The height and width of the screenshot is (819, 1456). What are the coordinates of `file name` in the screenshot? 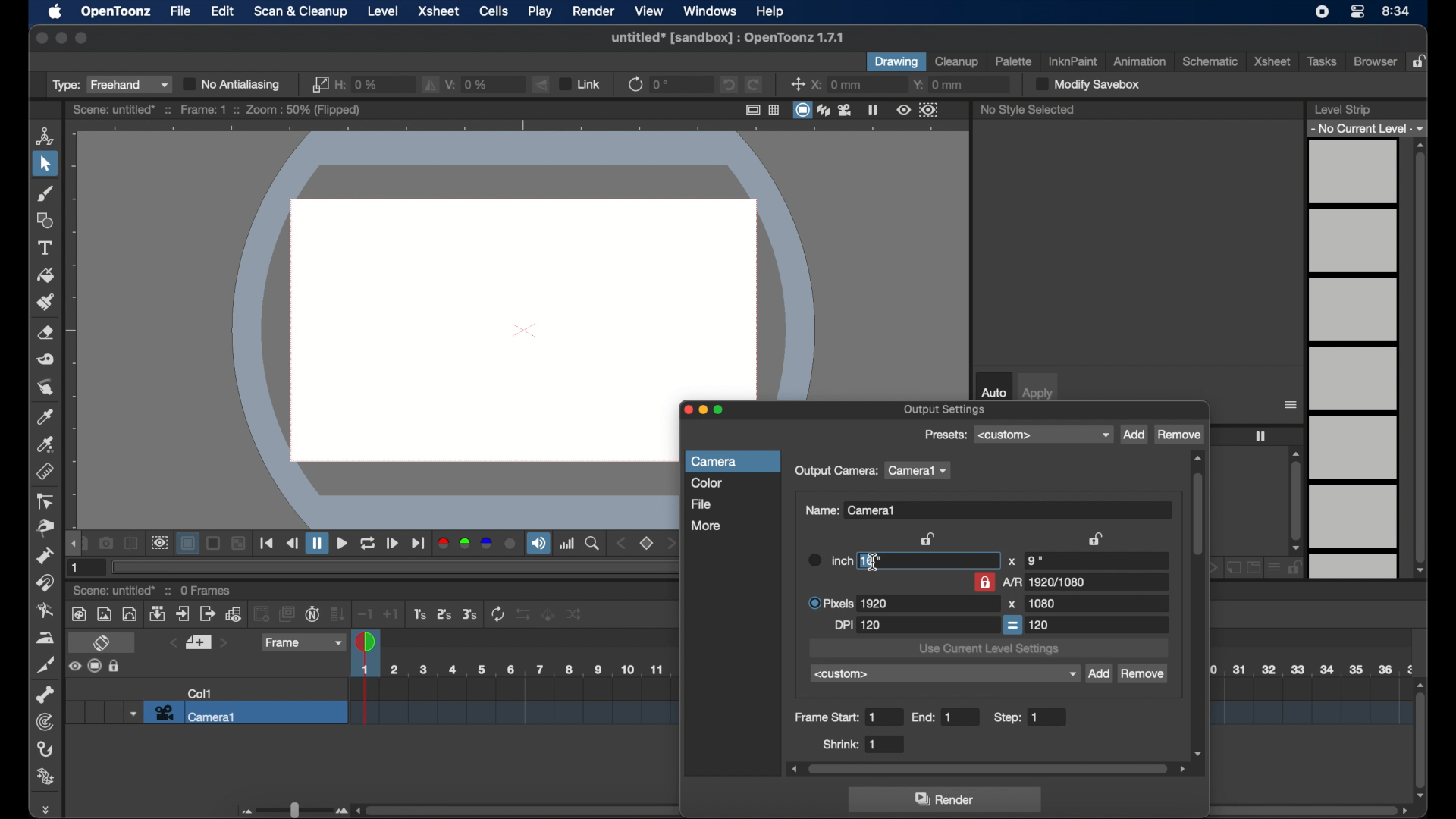 It's located at (726, 37).